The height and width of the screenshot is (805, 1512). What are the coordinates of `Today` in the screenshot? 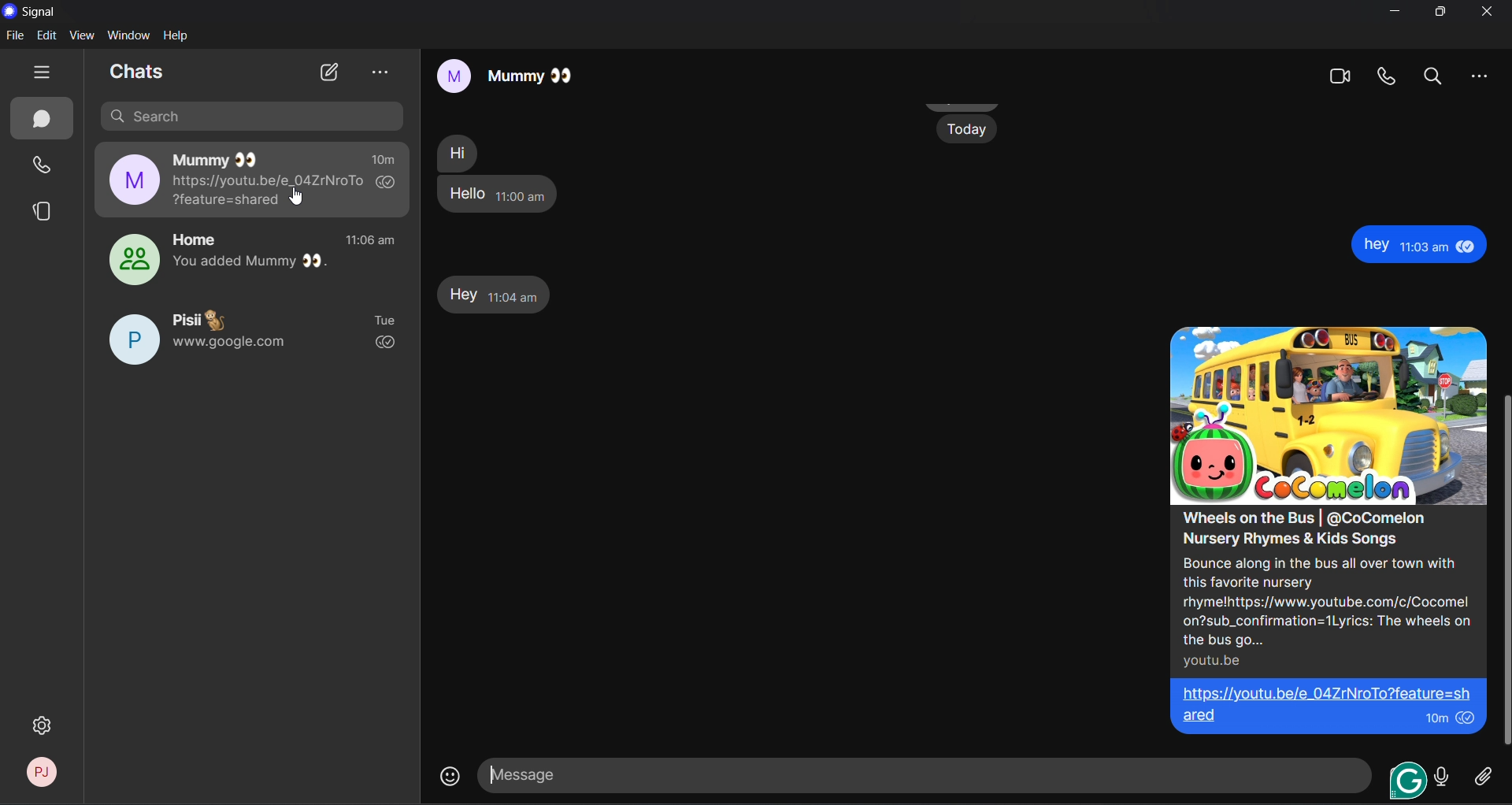 It's located at (969, 130).